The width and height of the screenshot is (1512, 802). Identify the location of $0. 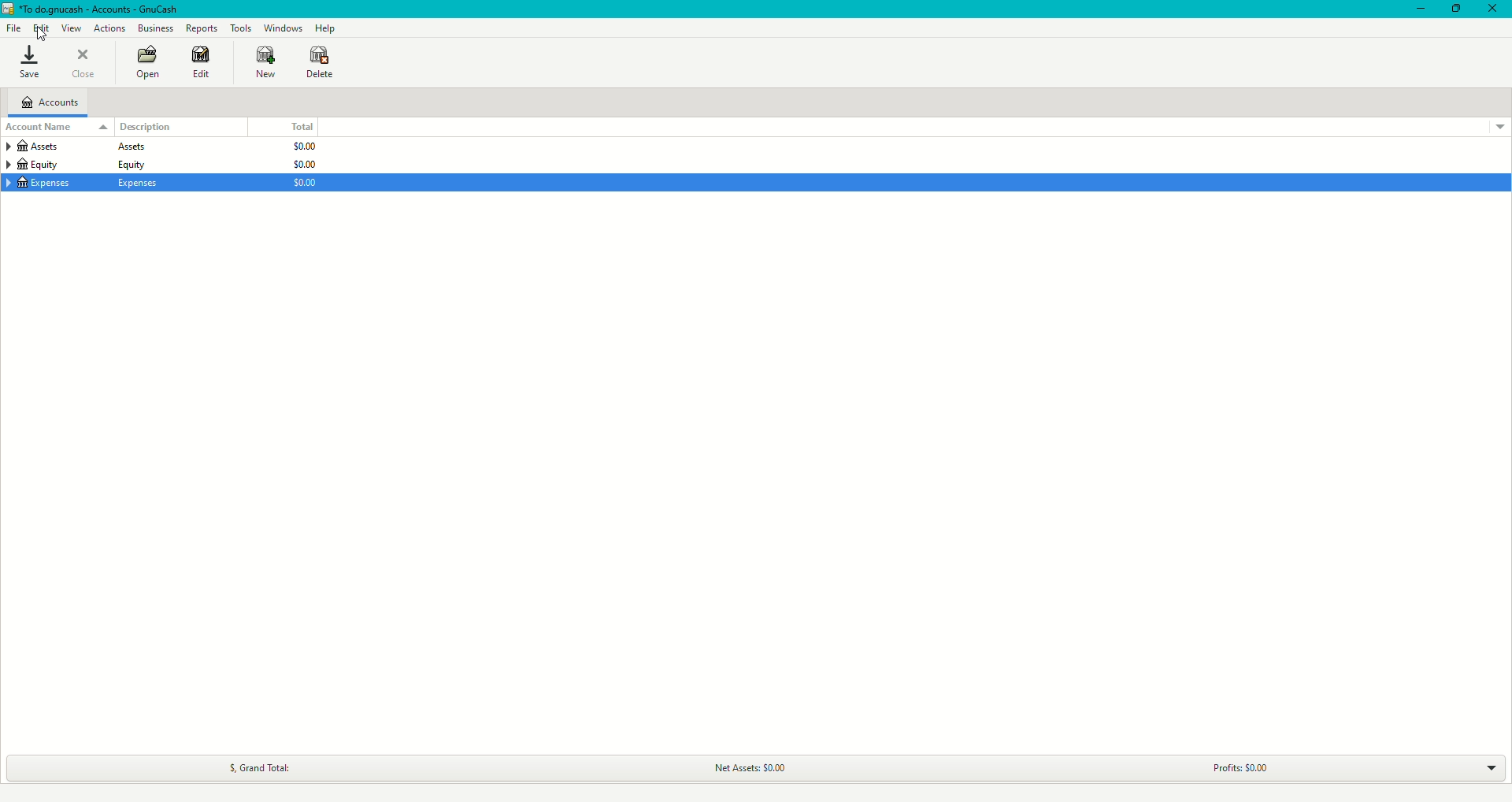
(300, 165).